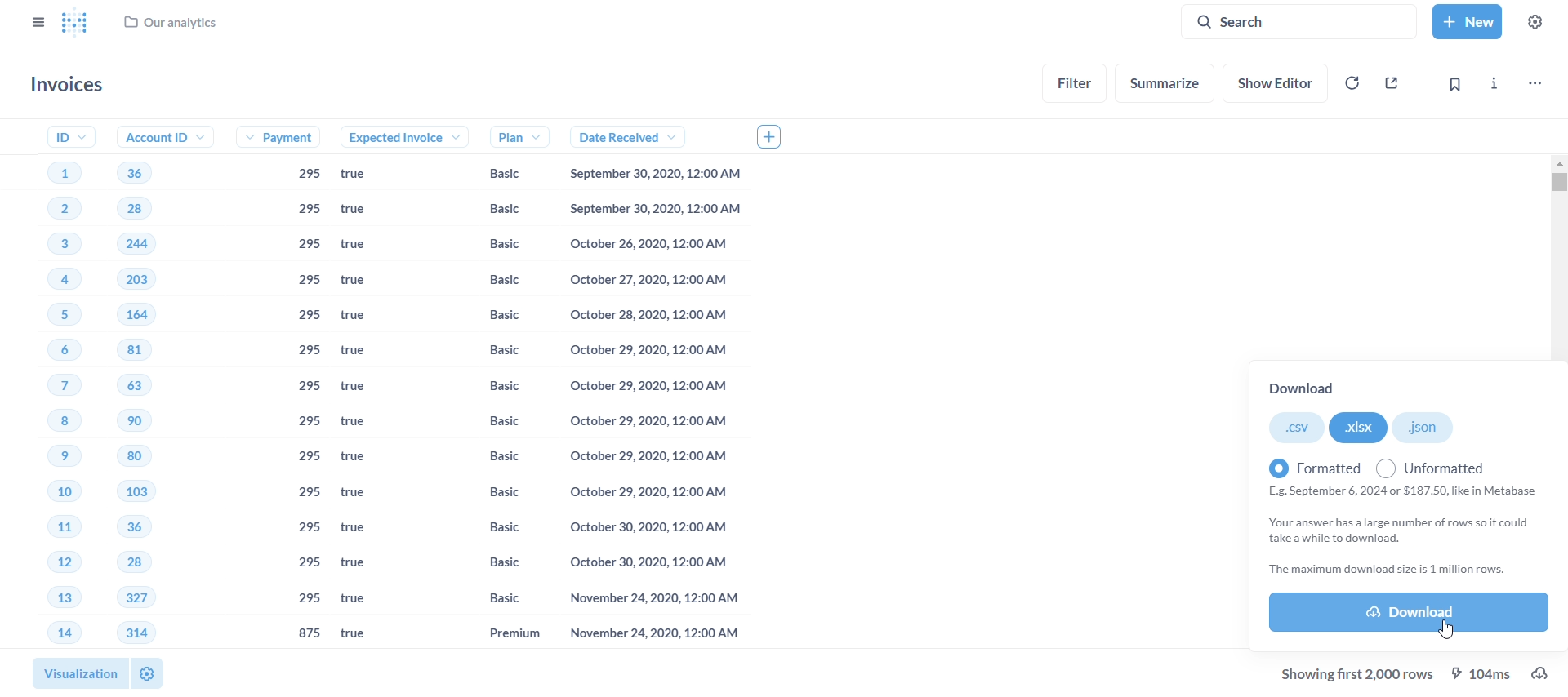 Image resolution: width=1568 pixels, height=697 pixels. I want to click on 295, so click(308, 599).